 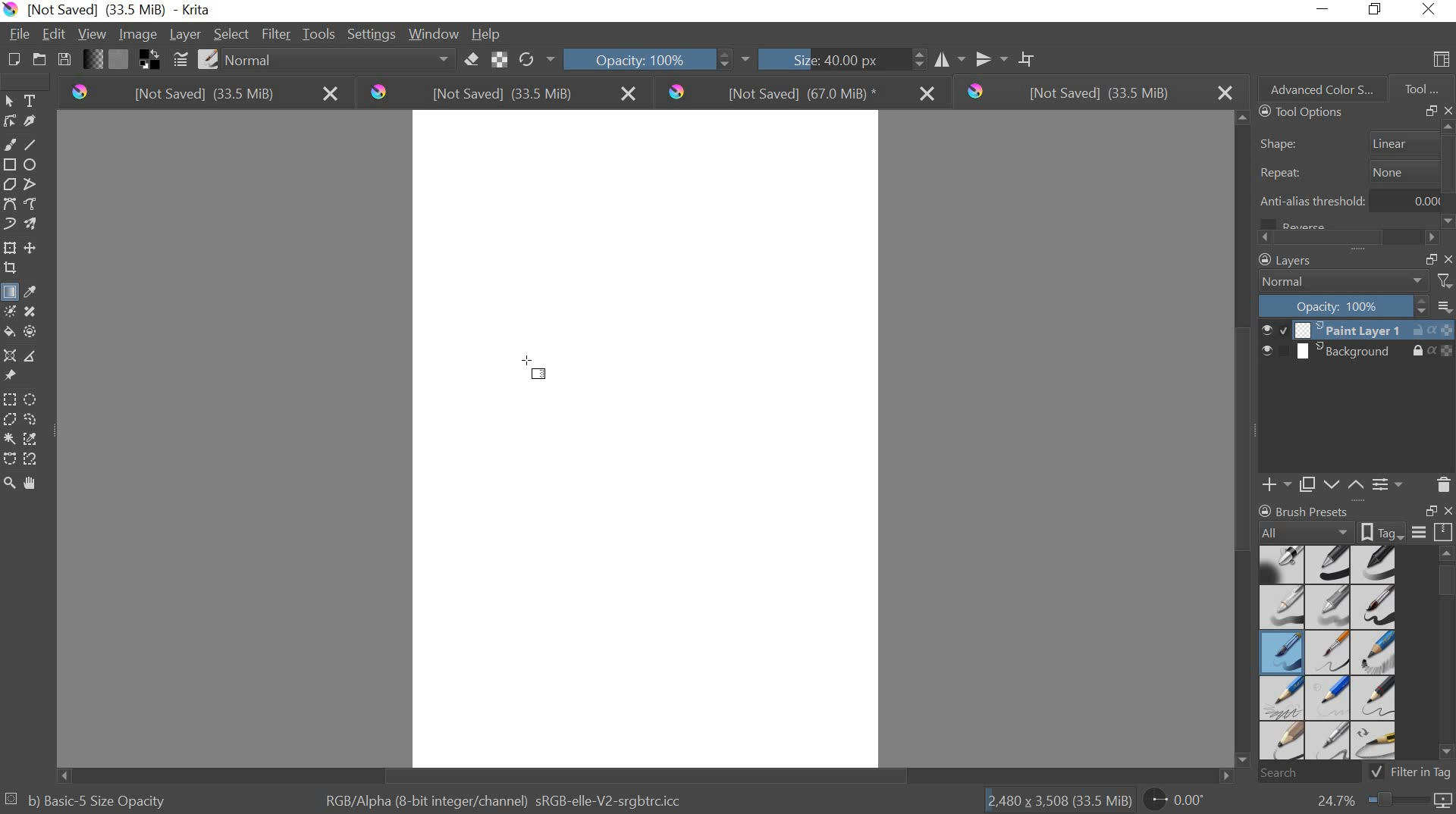 What do you see at coordinates (138, 36) in the screenshot?
I see `IMAGE` at bounding box center [138, 36].